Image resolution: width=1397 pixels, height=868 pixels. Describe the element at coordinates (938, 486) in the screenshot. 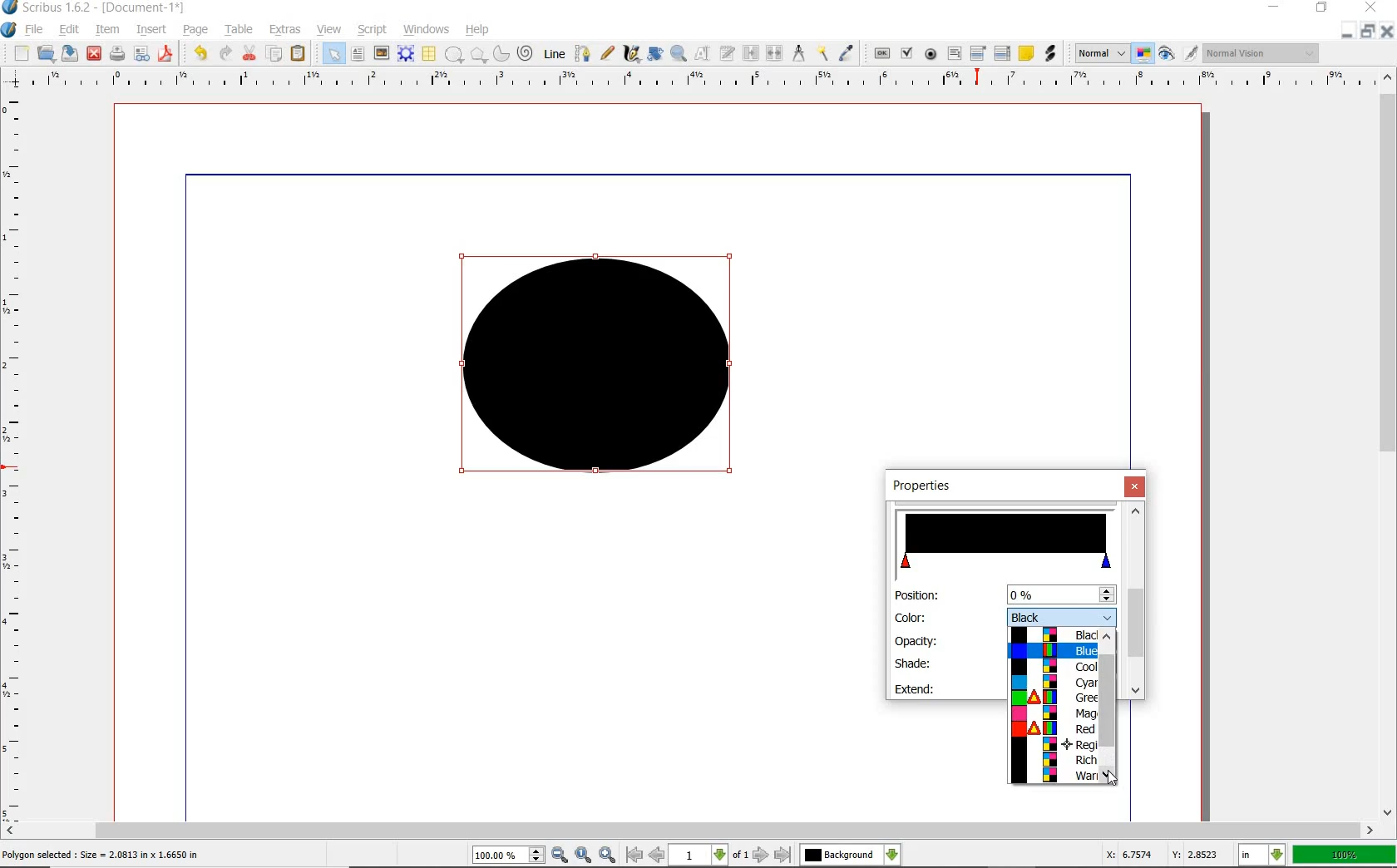

I see `properties` at that location.